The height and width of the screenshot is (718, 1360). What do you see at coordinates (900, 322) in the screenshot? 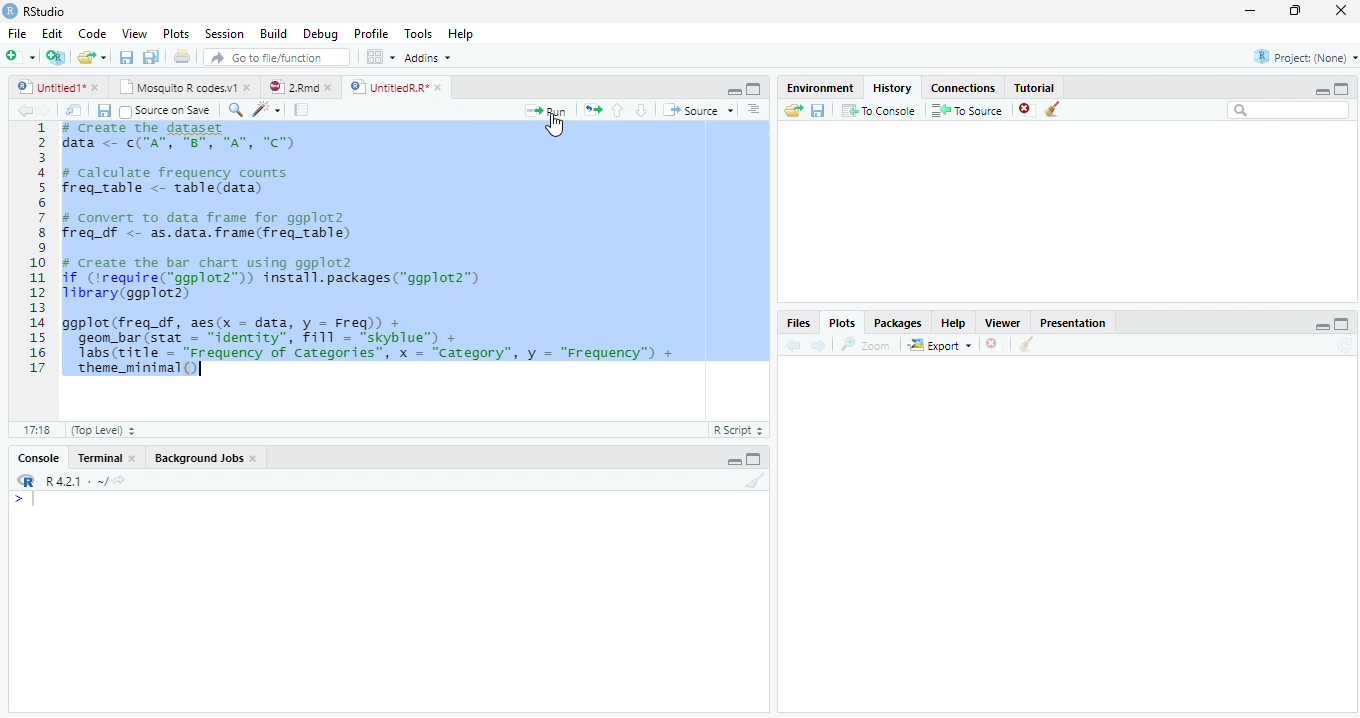
I see `Packages` at bounding box center [900, 322].